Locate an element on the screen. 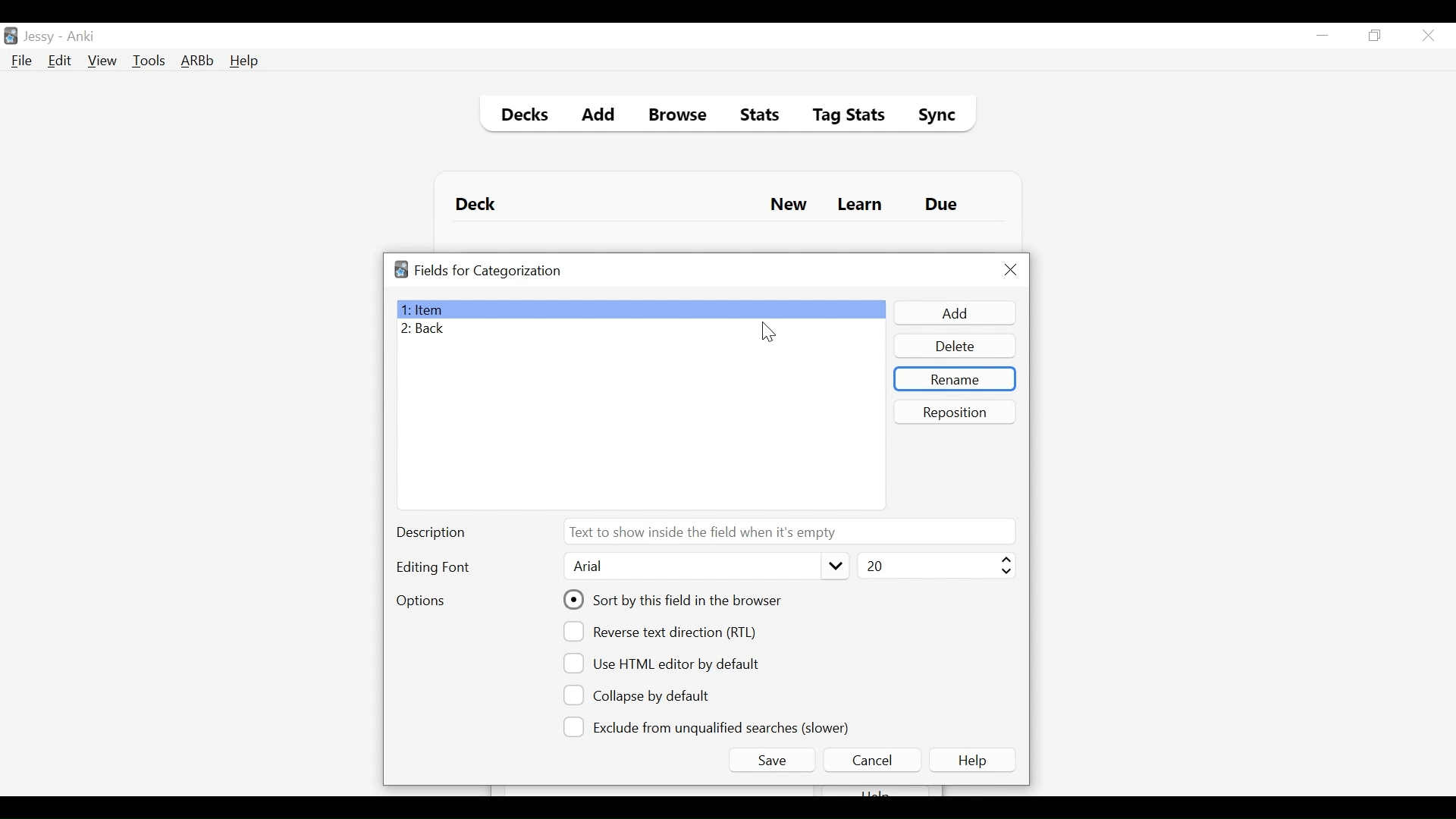 The height and width of the screenshot is (819, 1456). Editing Font is located at coordinates (435, 567).